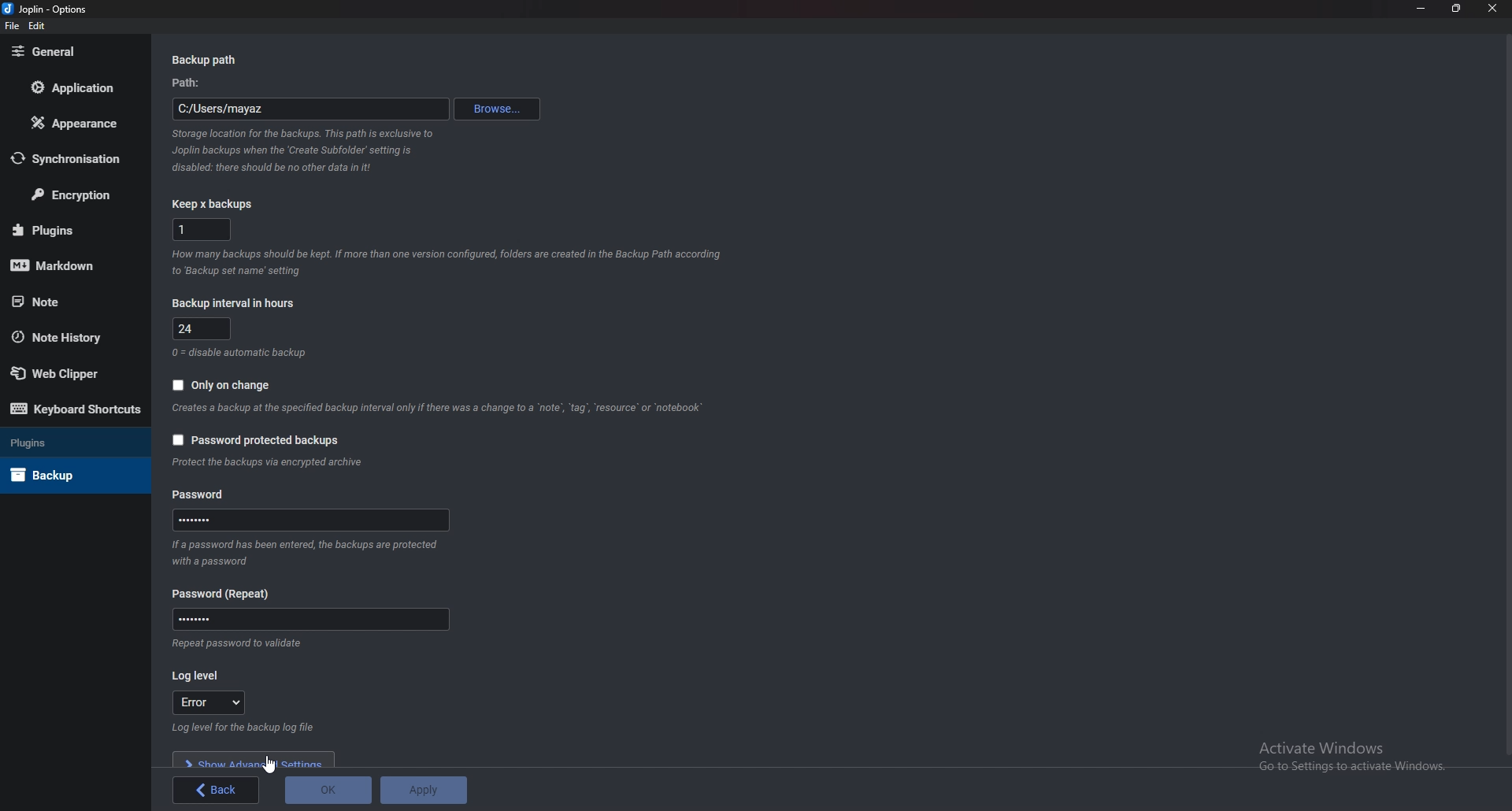 This screenshot has height=811, width=1512. What do you see at coordinates (211, 60) in the screenshot?
I see `backup path` at bounding box center [211, 60].